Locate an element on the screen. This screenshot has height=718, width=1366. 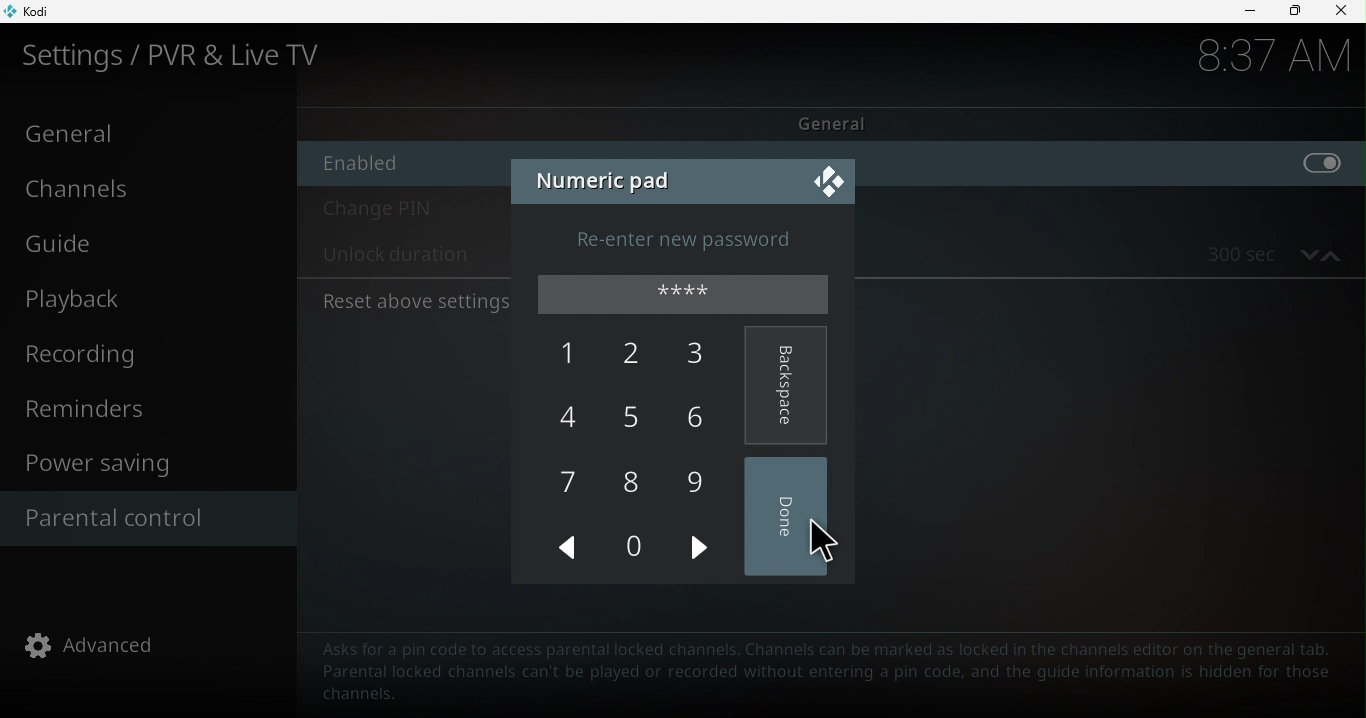
5 is located at coordinates (639, 420).